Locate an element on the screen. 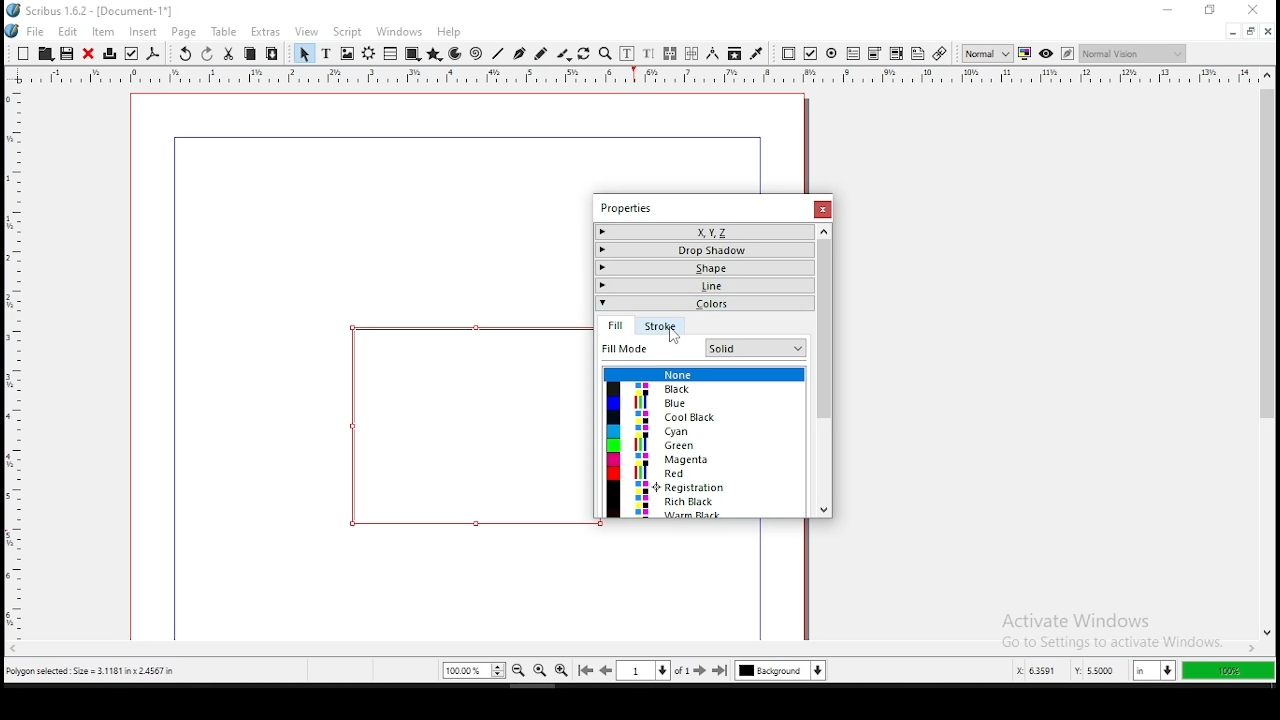 The image size is (1280, 720). shape is located at coordinates (412, 54).